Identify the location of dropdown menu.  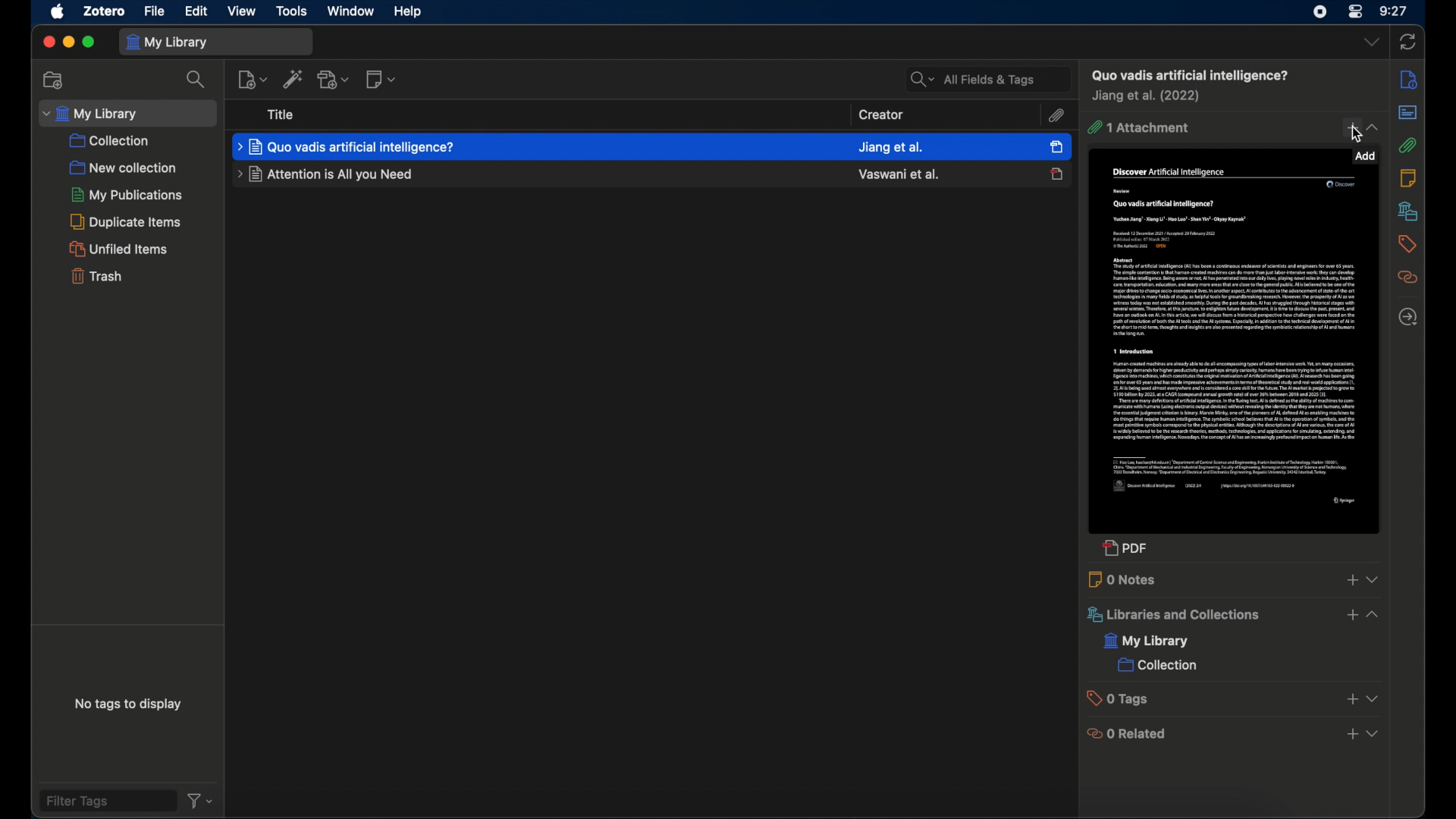
(1371, 42).